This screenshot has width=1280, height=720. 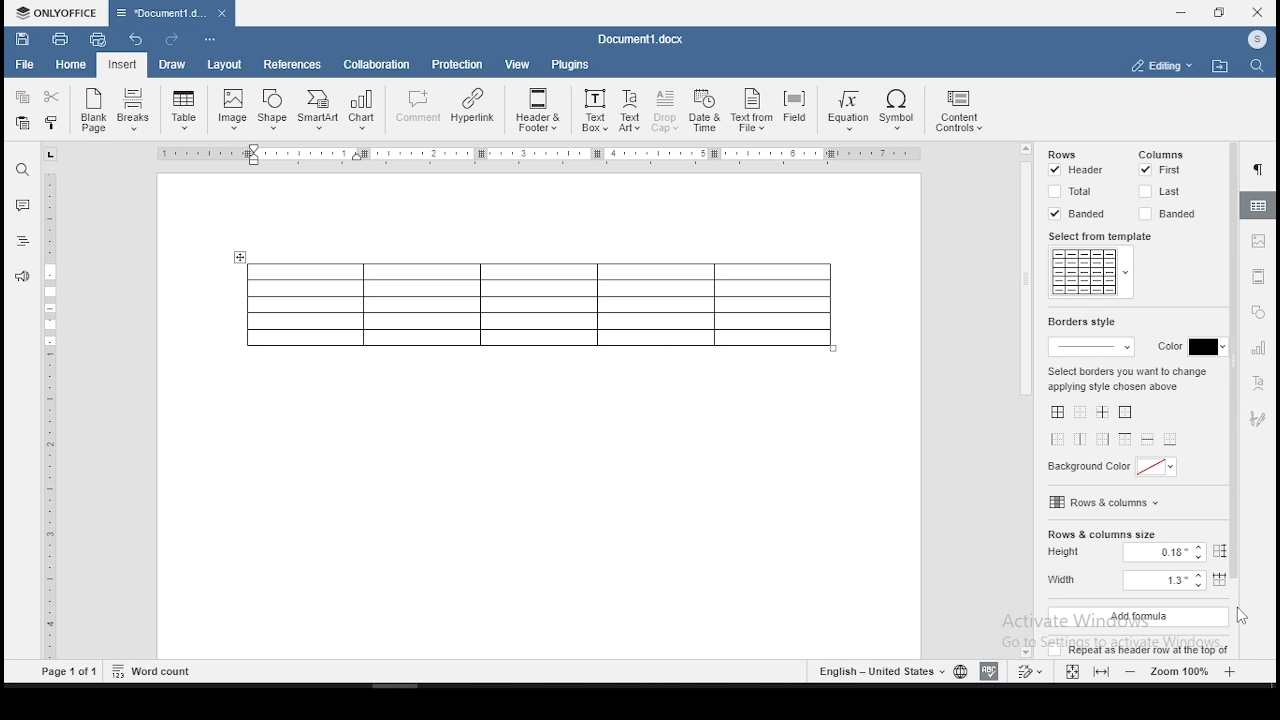 I want to click on border color, so click(x=1193, y=345).